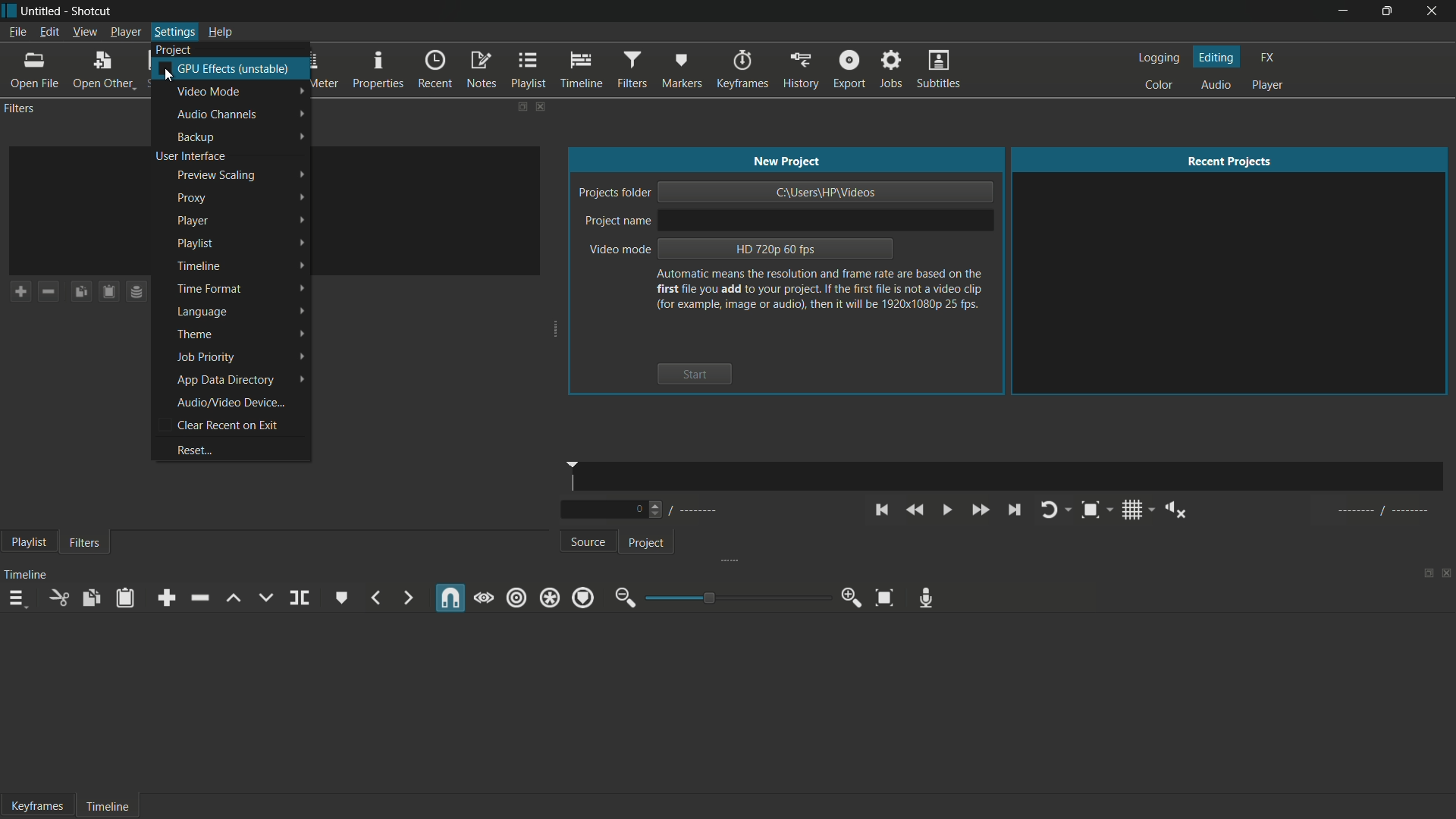 This screenshot has height=819, width=1456. I want to click on gpu effects, so click(235, 68).